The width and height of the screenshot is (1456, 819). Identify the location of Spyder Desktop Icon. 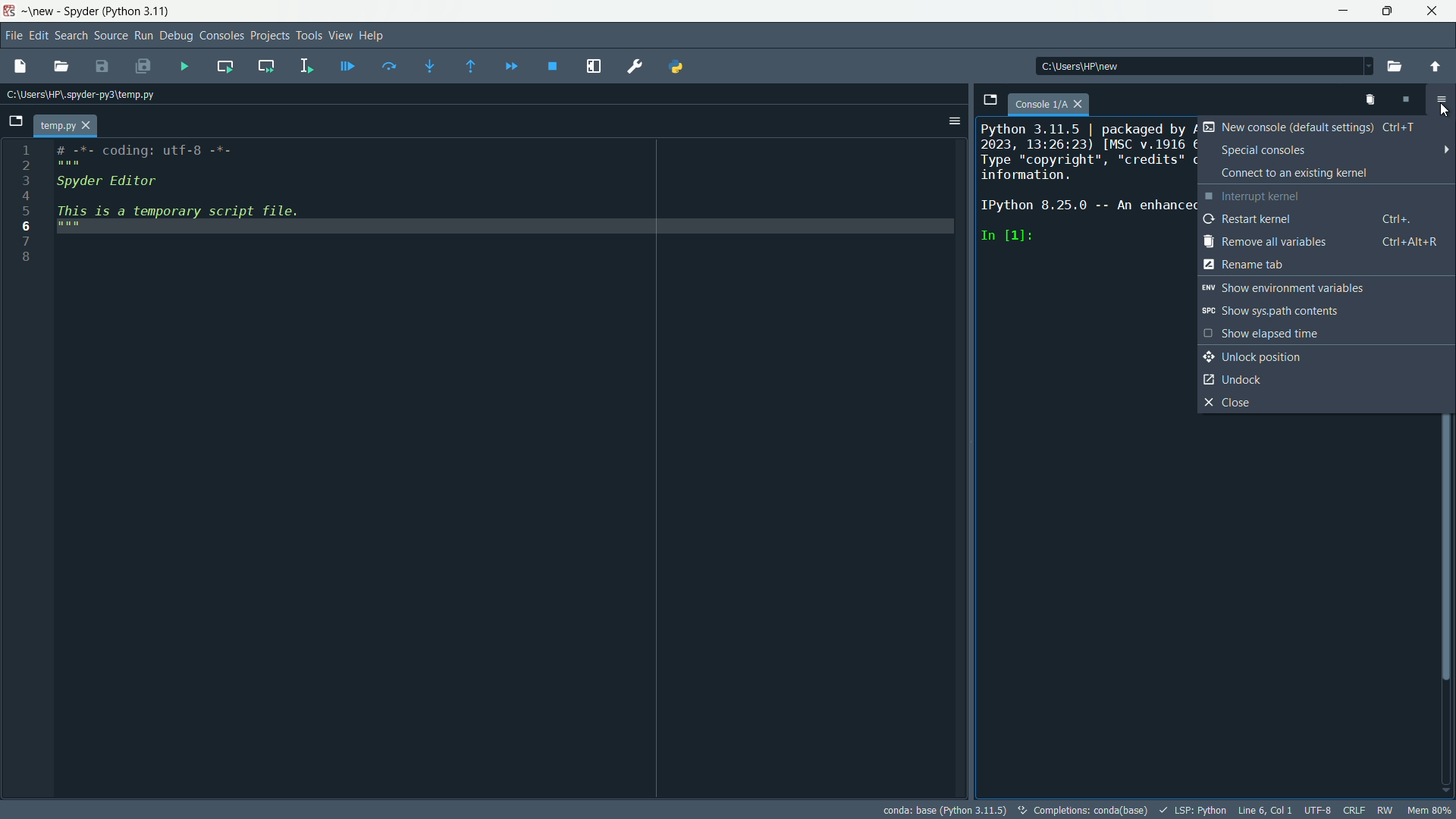
(11, 12).